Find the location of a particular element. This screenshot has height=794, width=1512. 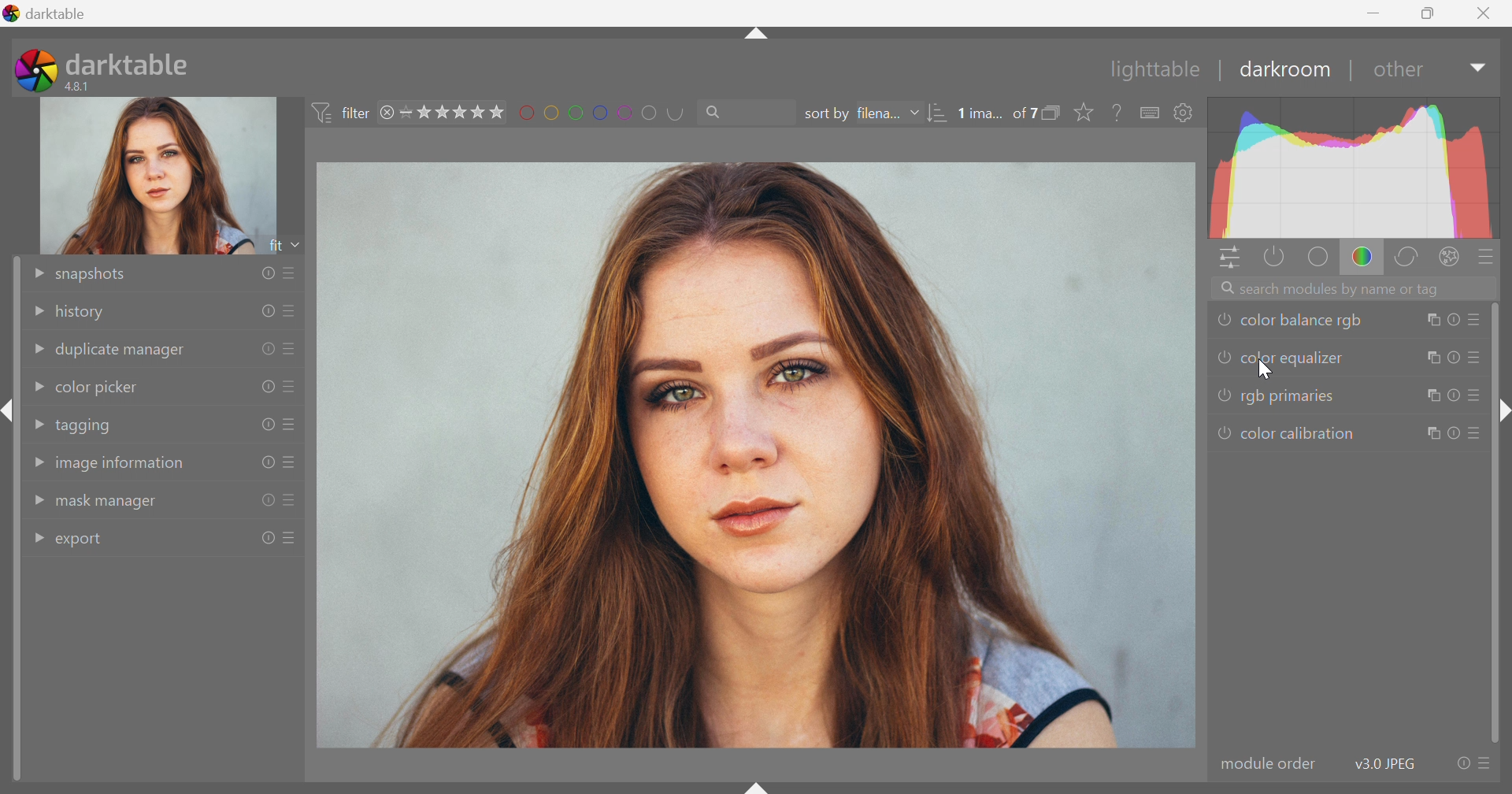

reset is located at coordinates (267, 309).